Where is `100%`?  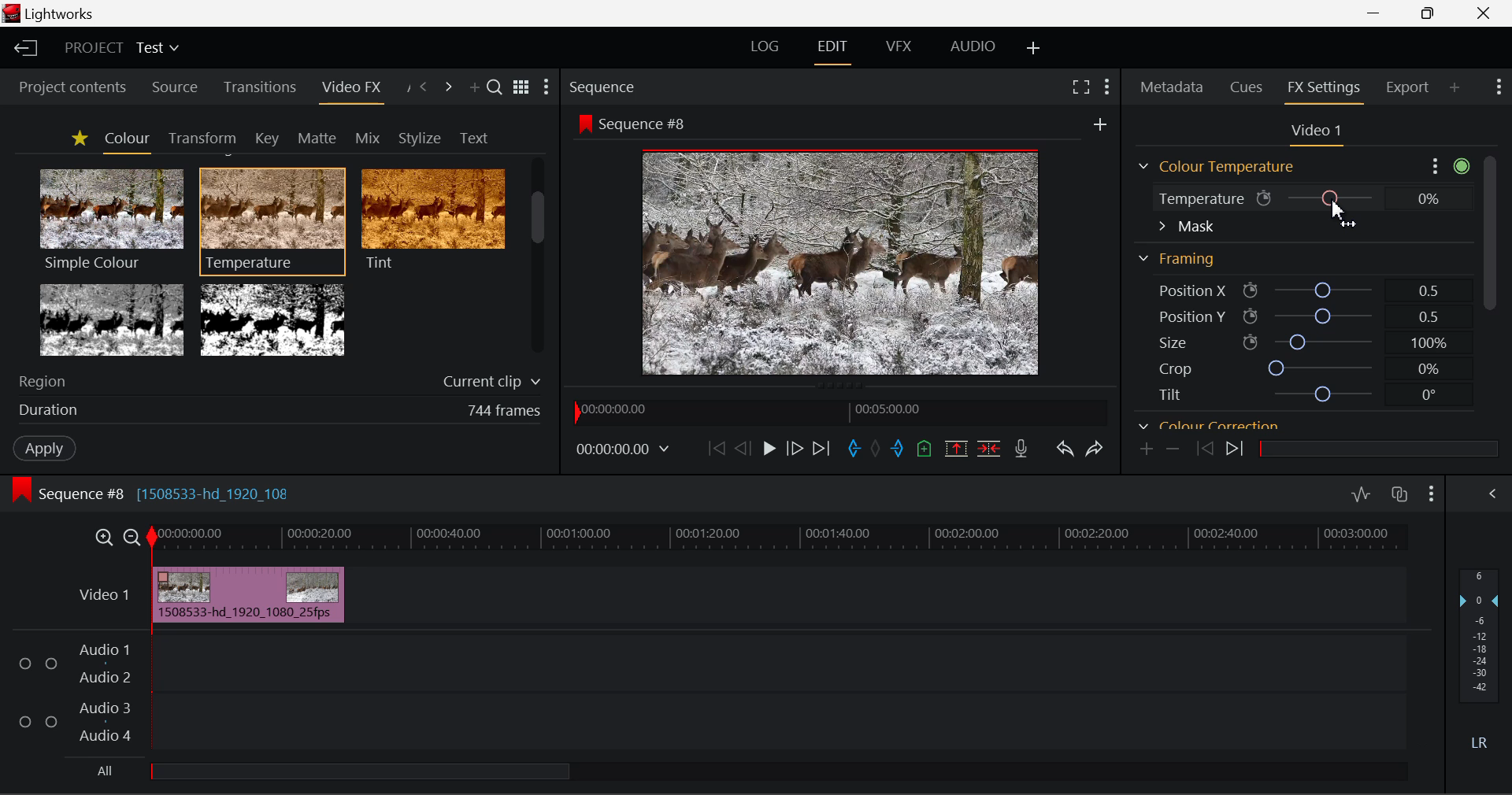
100% is located at coordinates (1429, 345).